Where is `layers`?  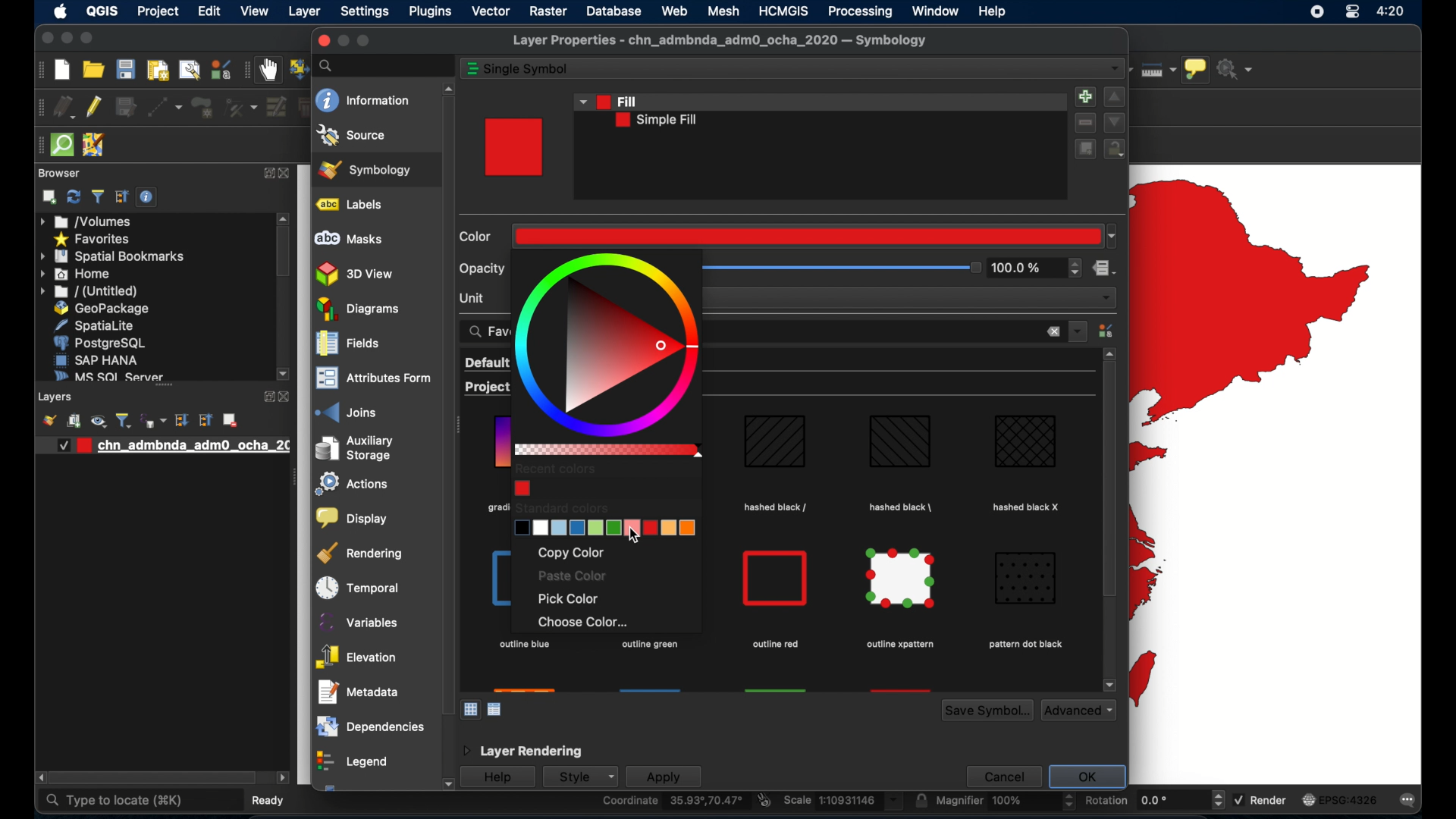
layers is located at coordinates (57, 397).